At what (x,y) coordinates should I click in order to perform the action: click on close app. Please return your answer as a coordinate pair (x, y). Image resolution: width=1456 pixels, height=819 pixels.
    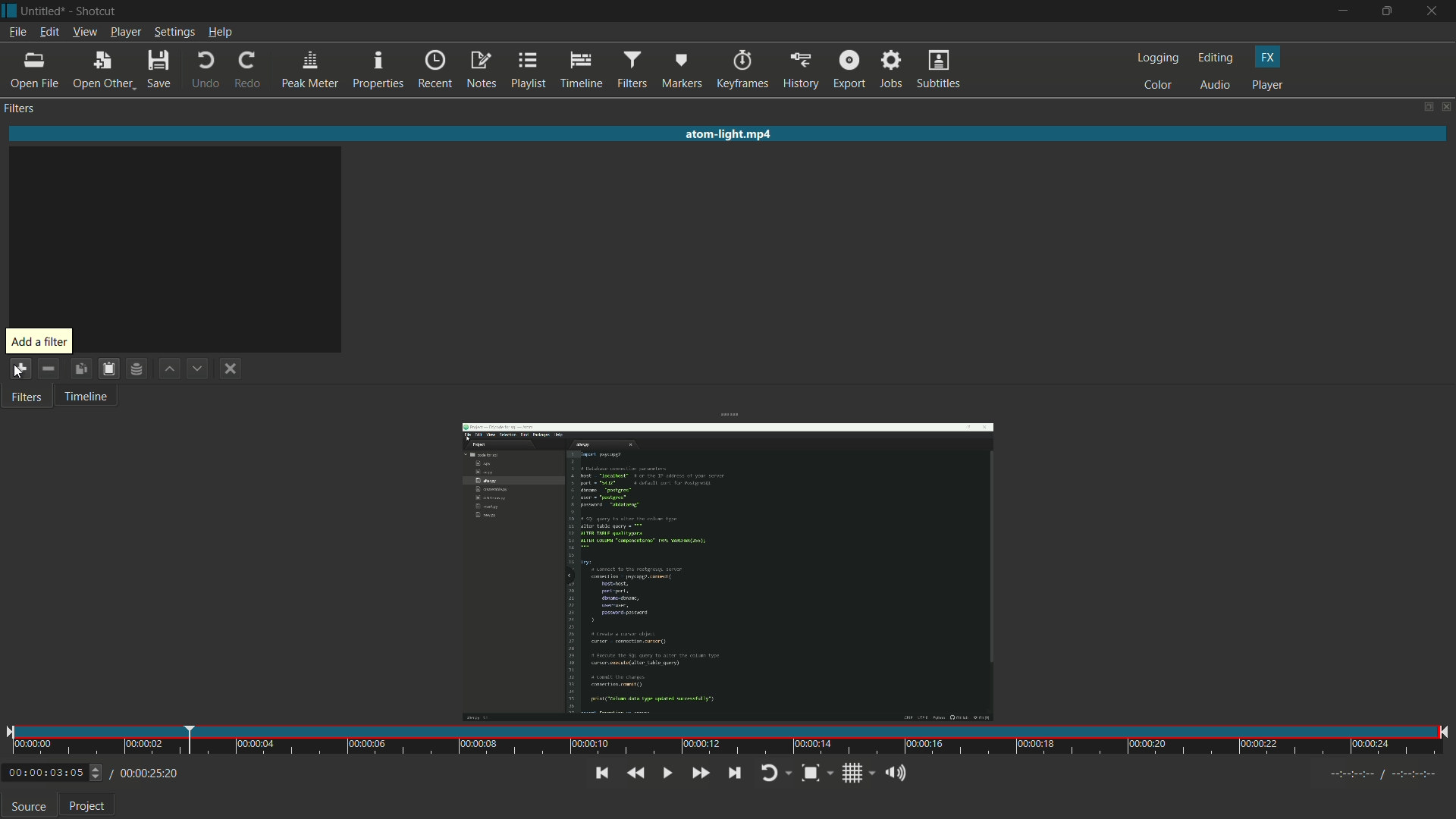
    Looking at the image, I should click on (1434, 11).